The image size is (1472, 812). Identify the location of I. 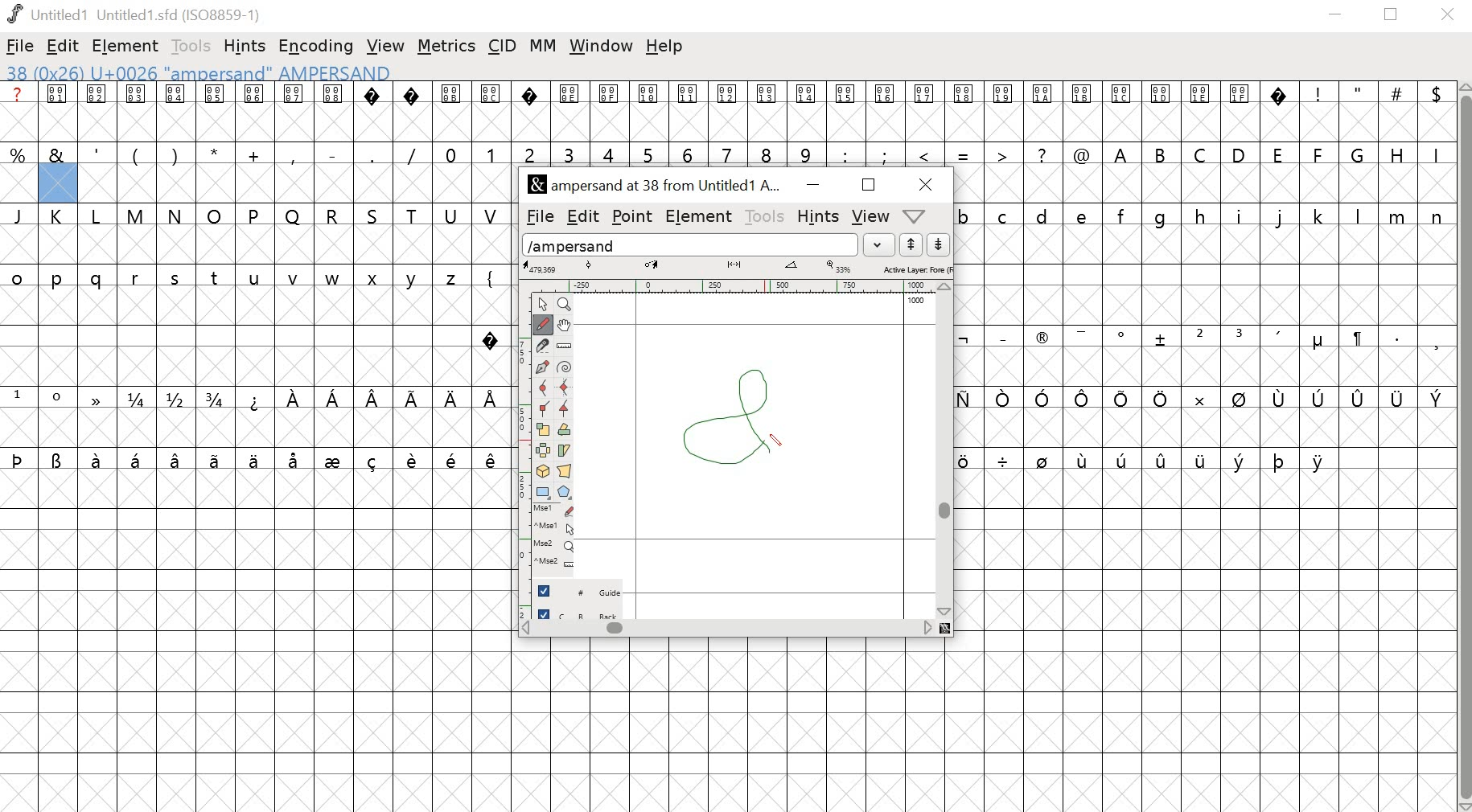
(1434, 154).